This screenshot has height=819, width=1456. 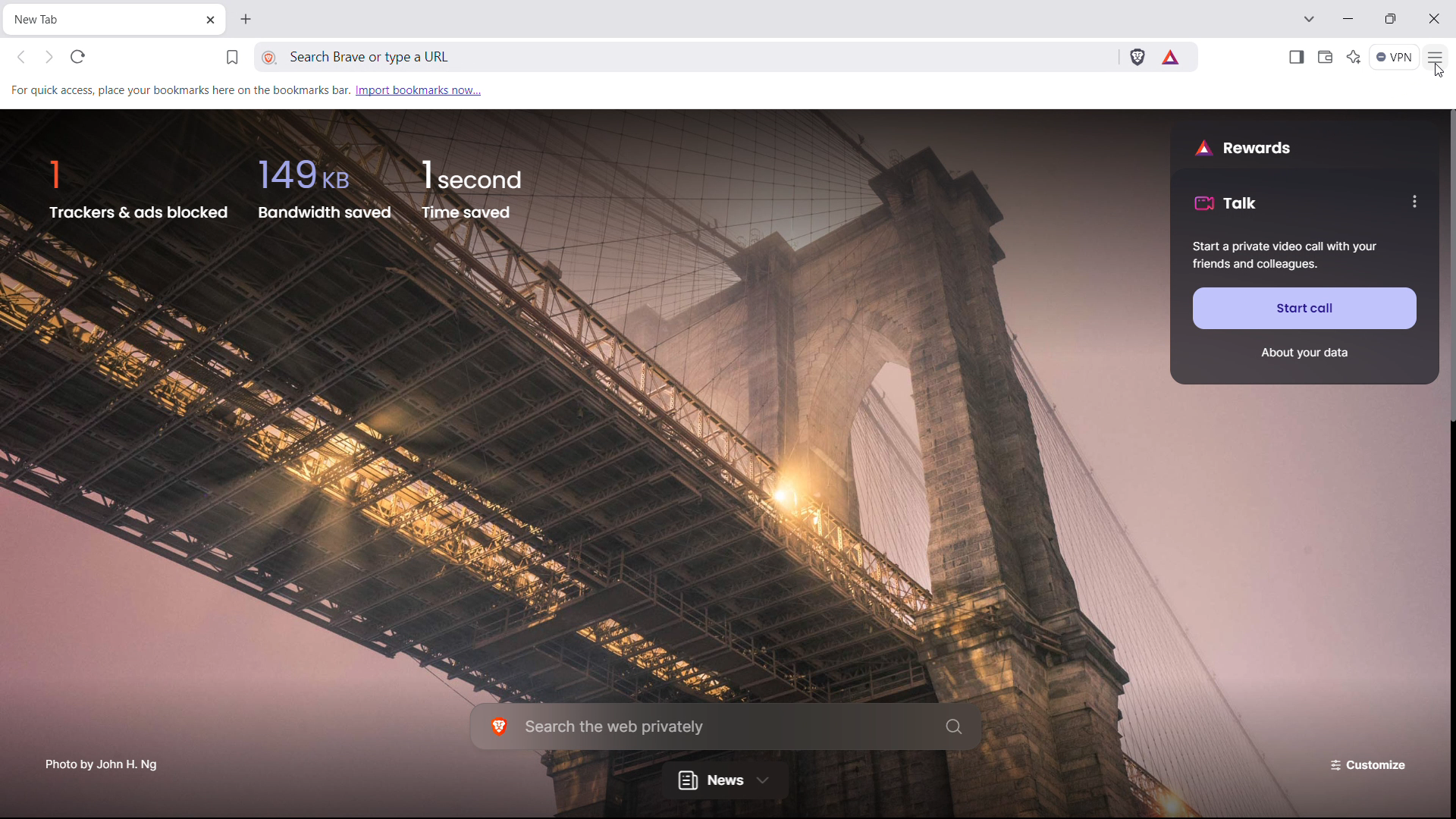 I want to click on search in the web privately, so click(x=727, y=726).